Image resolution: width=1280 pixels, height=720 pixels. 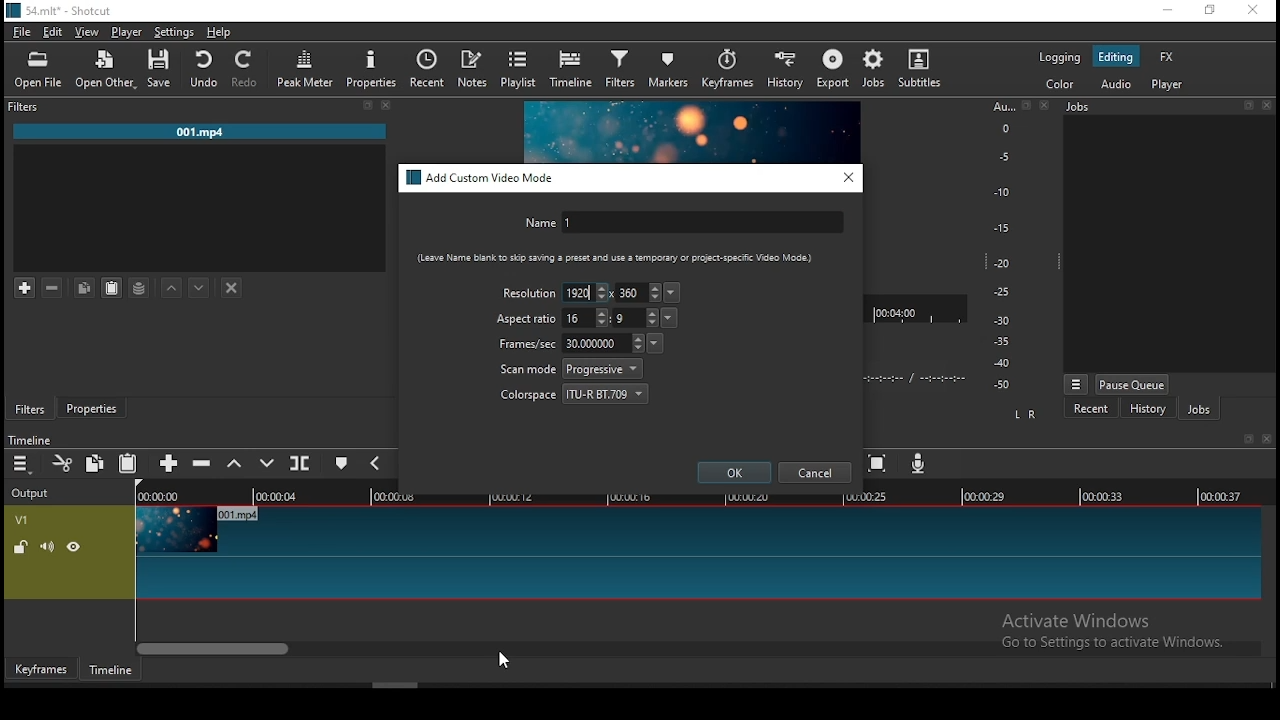 What do you see at coordinates (696, 553) in the screenshot?
I see `video track` at bounding box center [696, 553].